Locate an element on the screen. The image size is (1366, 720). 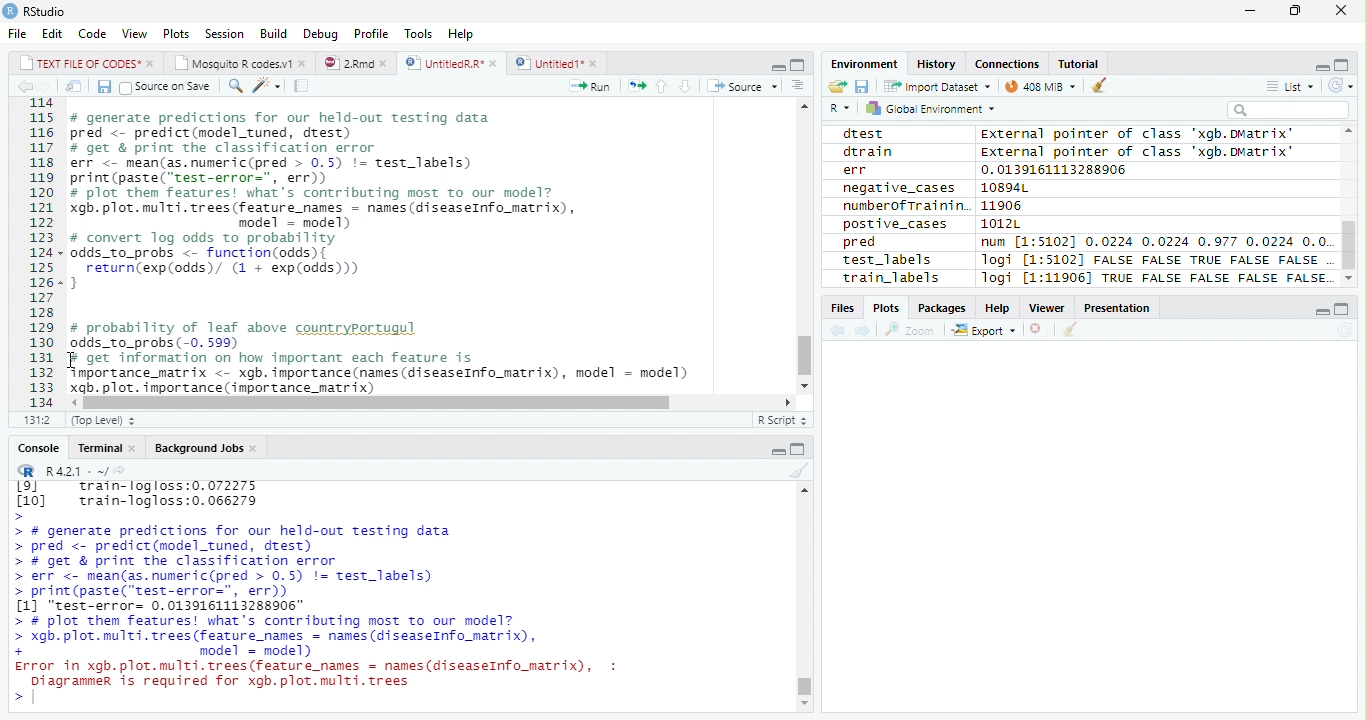
Connections is located at coordinates (1007, 64).